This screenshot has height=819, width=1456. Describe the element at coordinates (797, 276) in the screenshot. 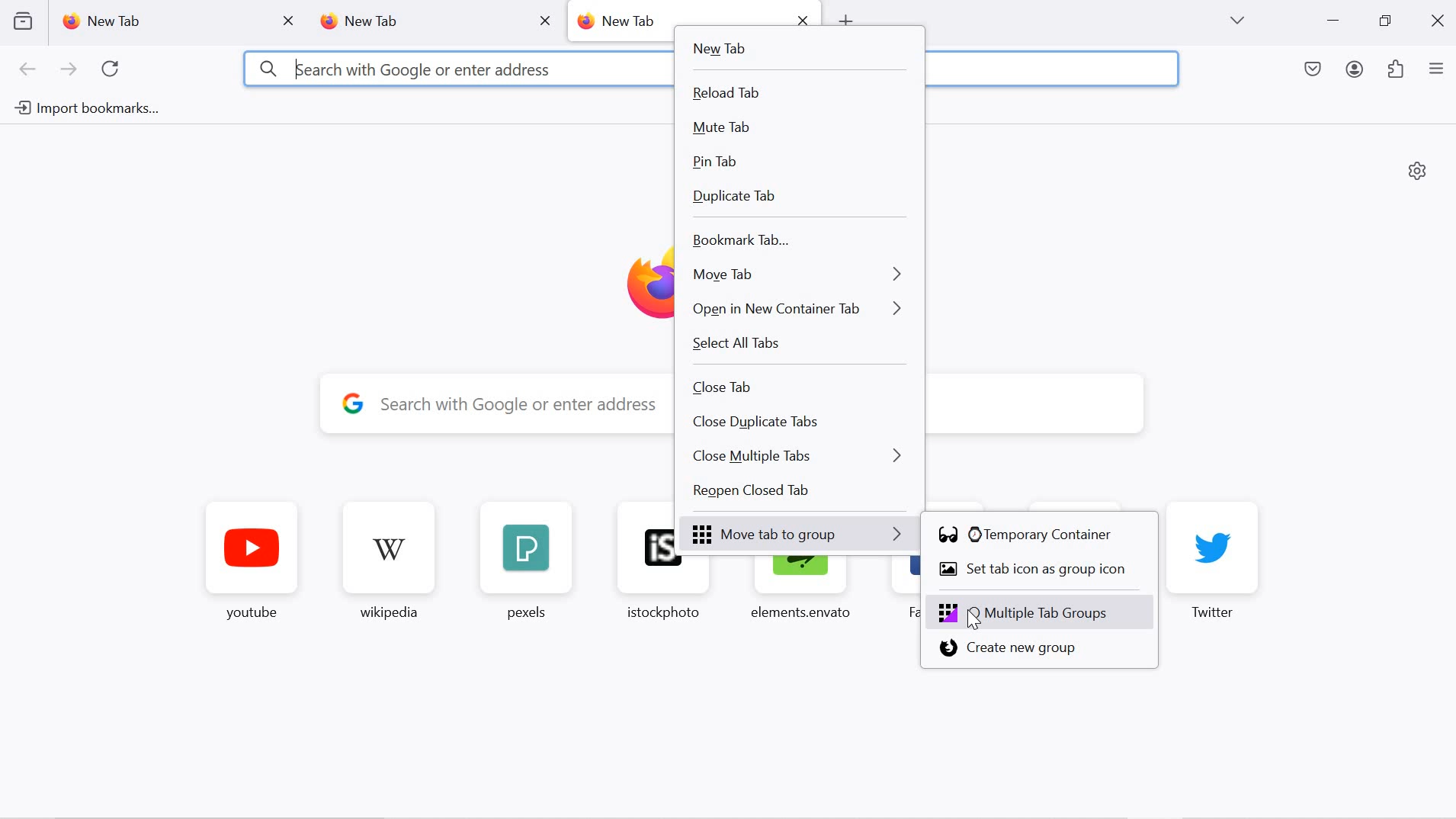

I see `move tab` at that location.